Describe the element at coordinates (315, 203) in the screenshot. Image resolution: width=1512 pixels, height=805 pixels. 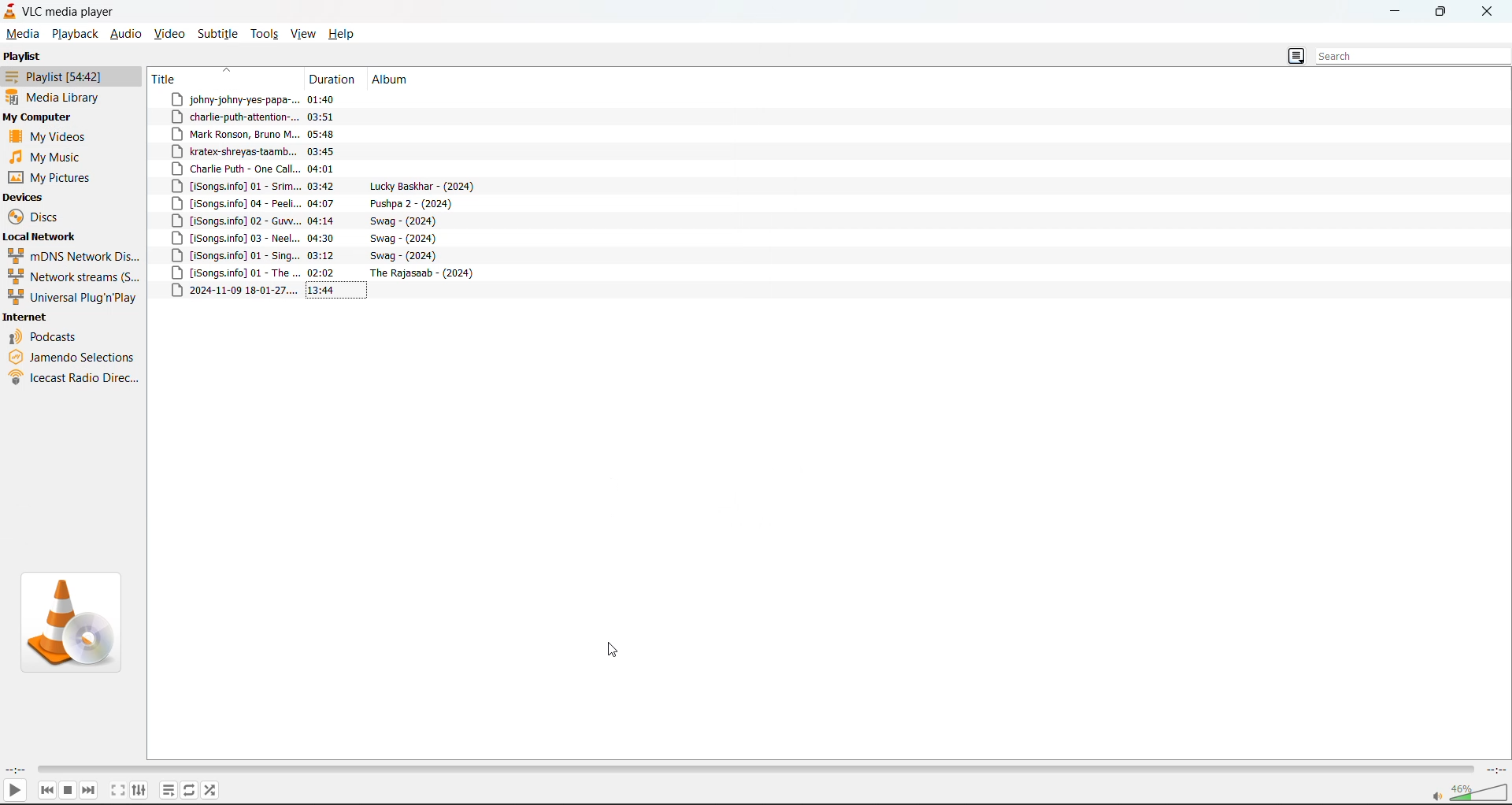
I see `track 7 title, duration and album details` at that location.